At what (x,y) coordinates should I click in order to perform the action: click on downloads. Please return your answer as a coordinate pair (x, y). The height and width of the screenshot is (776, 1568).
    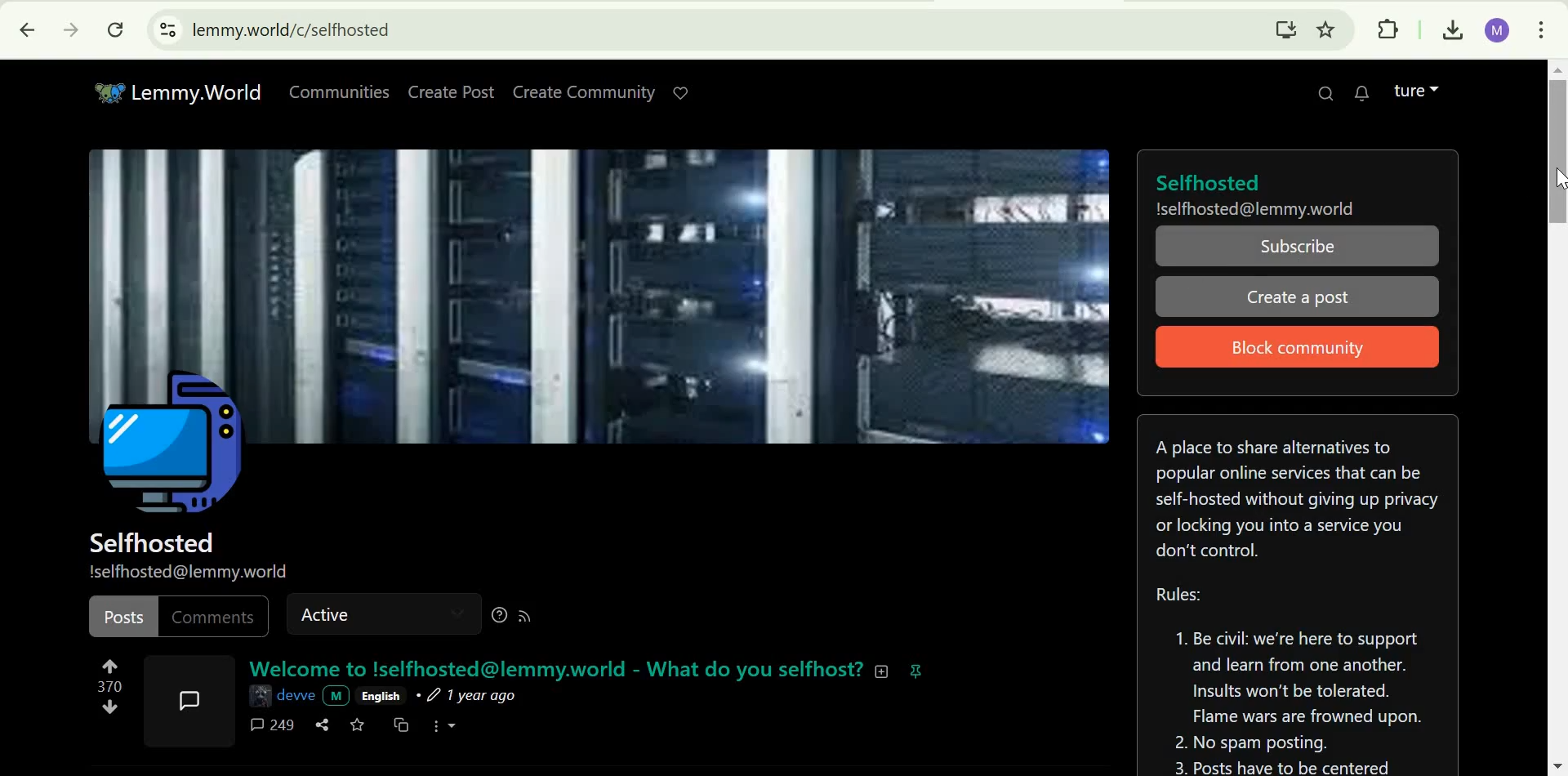
    Looking at the image, I should click on (1450, 31).